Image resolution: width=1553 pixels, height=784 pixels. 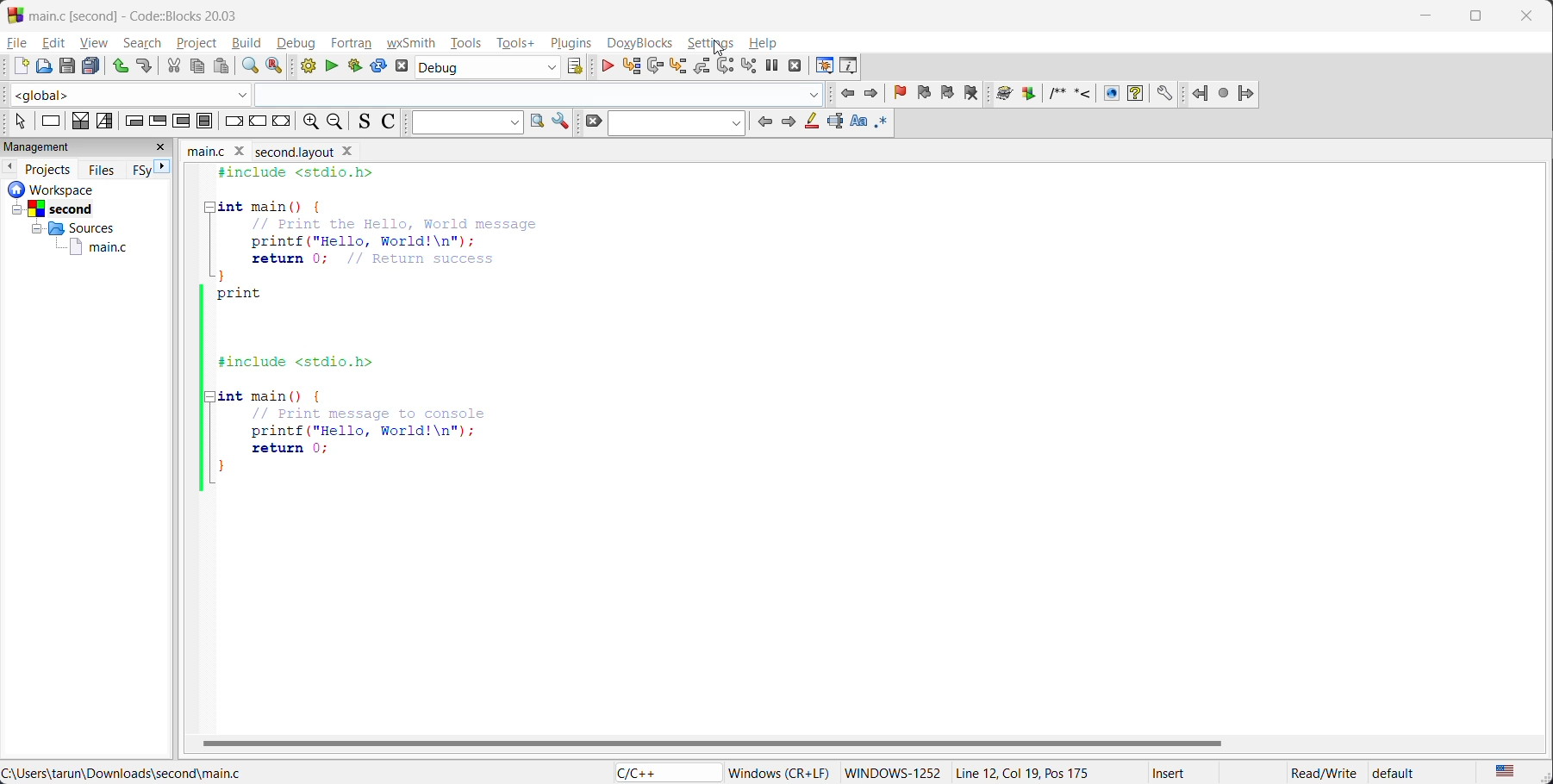 I want to click on default, so click(x=1410, y=774).